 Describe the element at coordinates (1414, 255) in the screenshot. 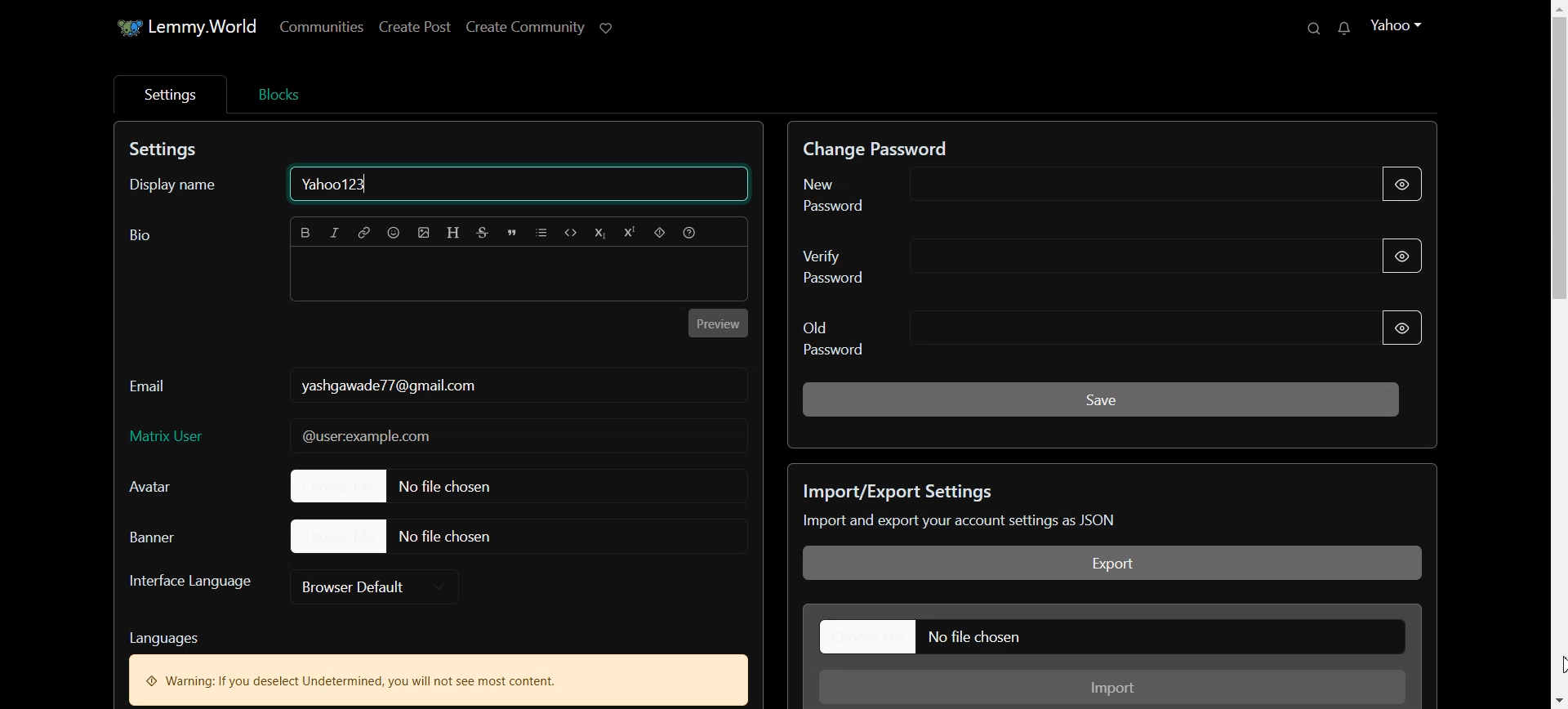

I see `Hide Password` at that location.